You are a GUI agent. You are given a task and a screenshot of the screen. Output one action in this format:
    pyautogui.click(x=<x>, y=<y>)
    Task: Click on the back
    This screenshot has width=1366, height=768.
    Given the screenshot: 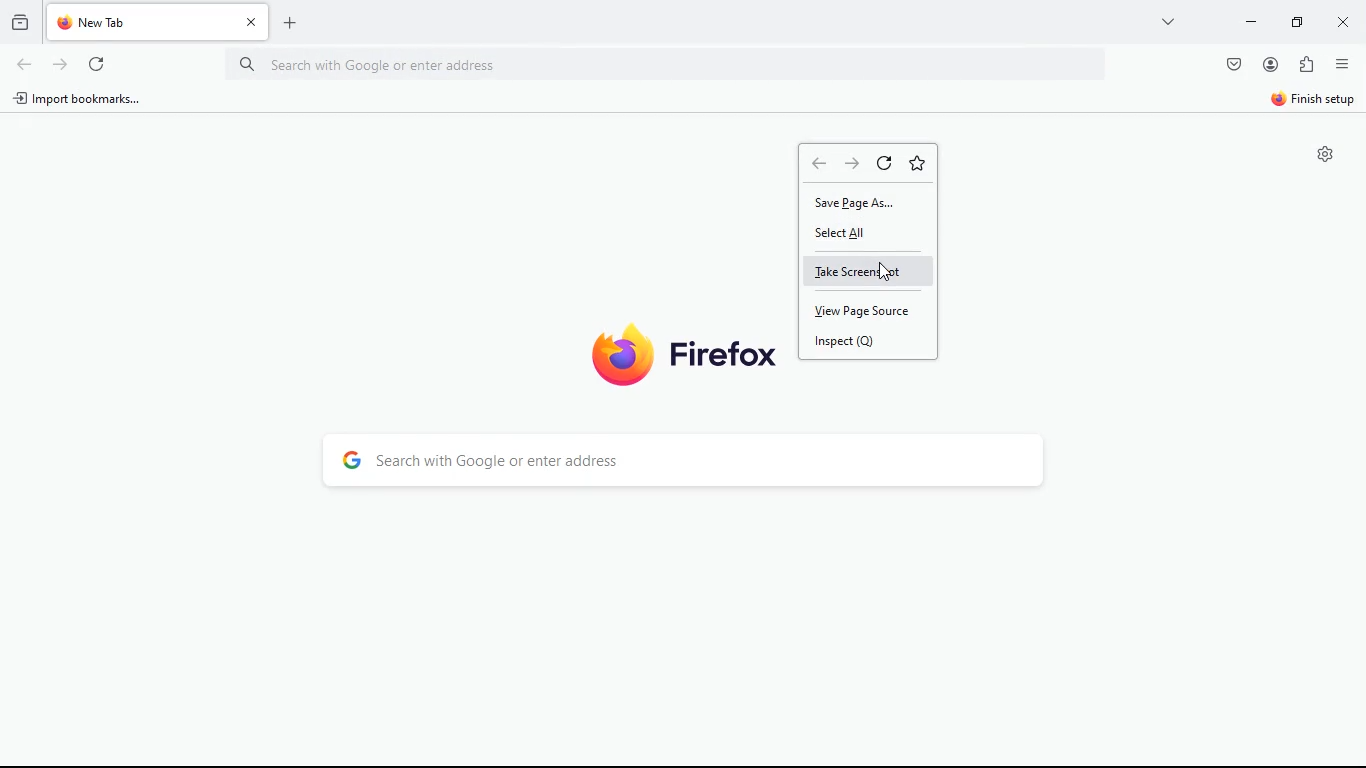 What is the action you would take?
    pyautogui.click(x=25, y=66)
    